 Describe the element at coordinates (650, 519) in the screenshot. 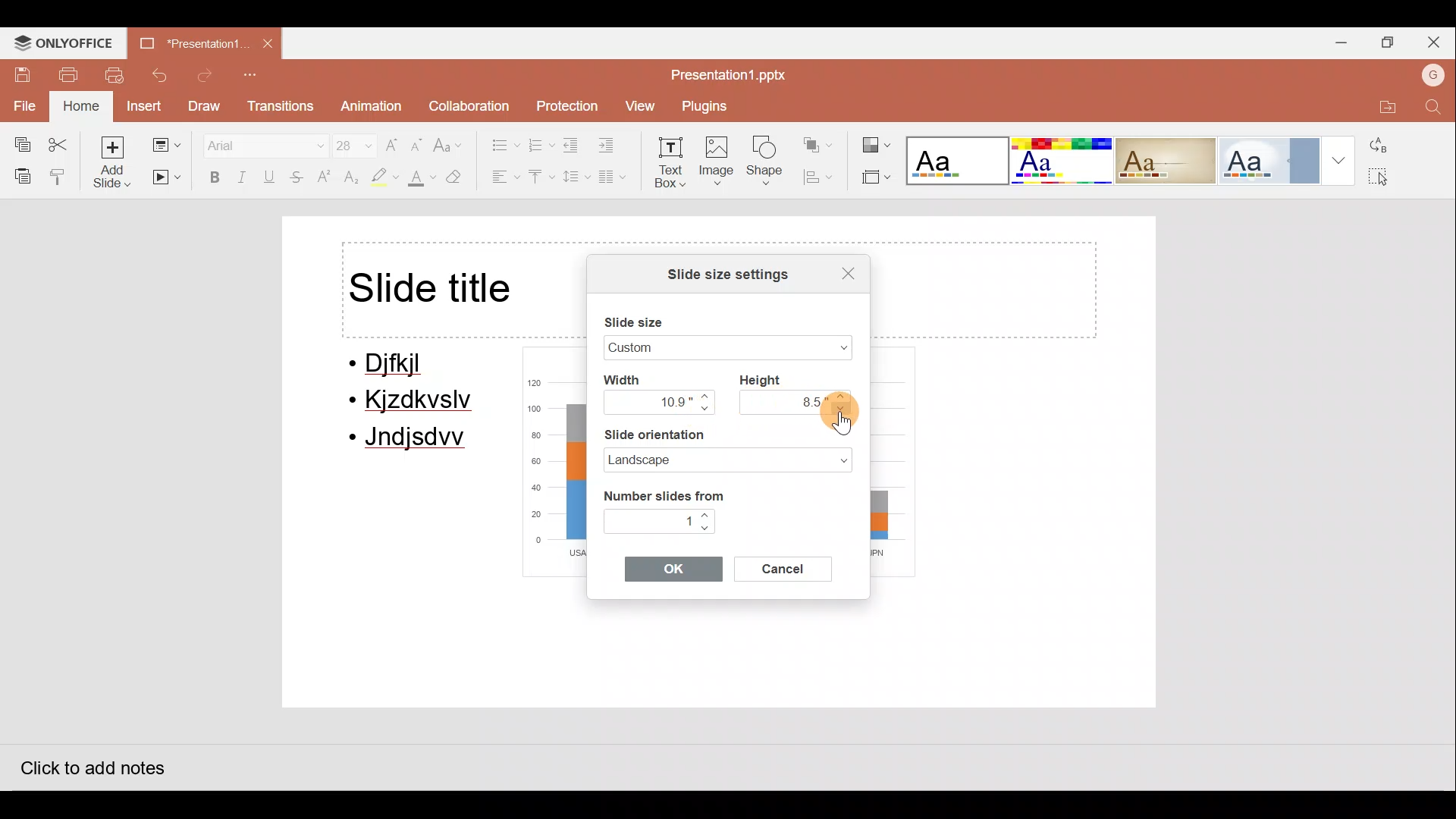

I see `1` at that location.